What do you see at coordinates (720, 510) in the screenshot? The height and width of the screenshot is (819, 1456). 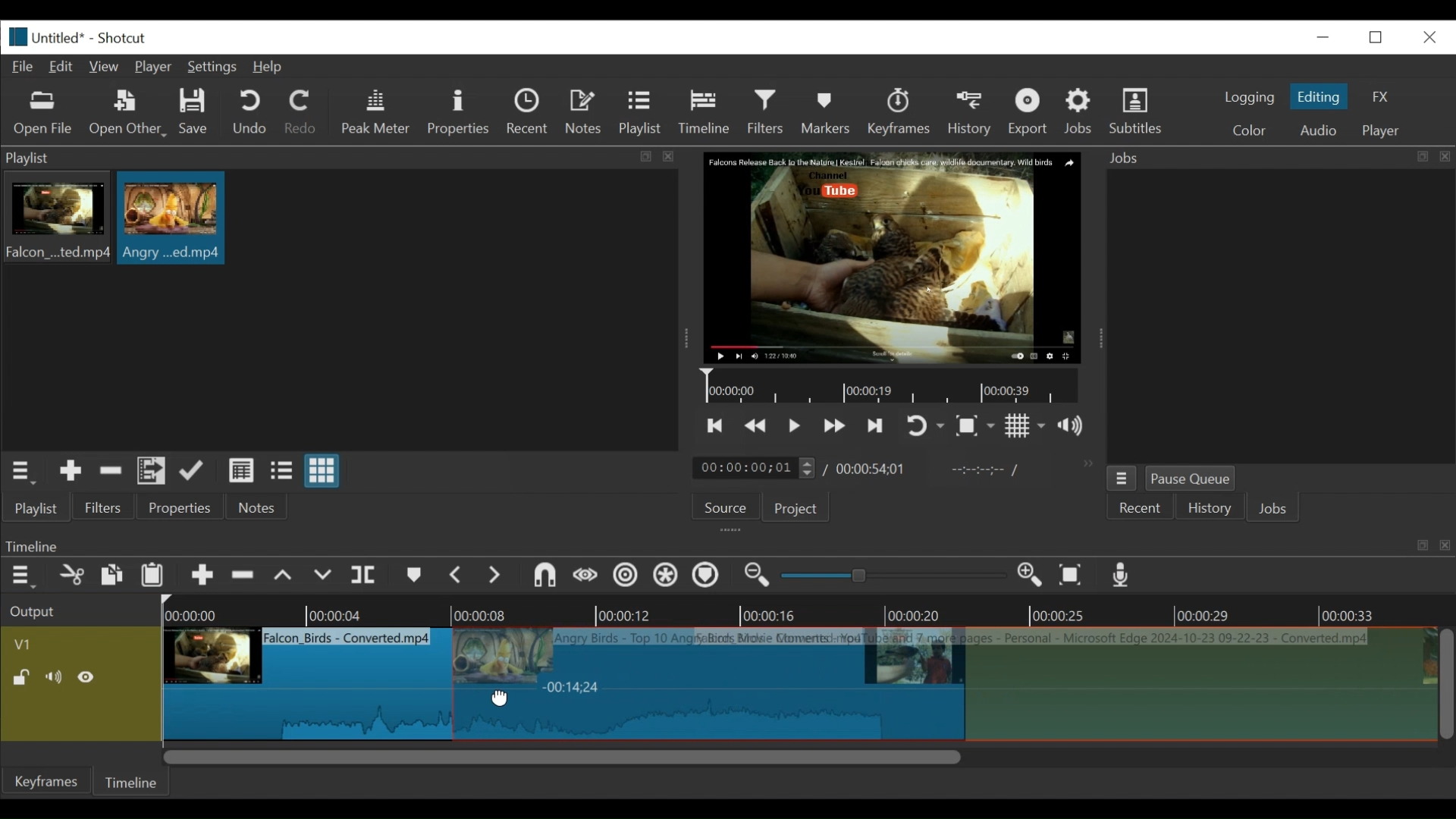 I see `Source` at bounding box center [720, 510].